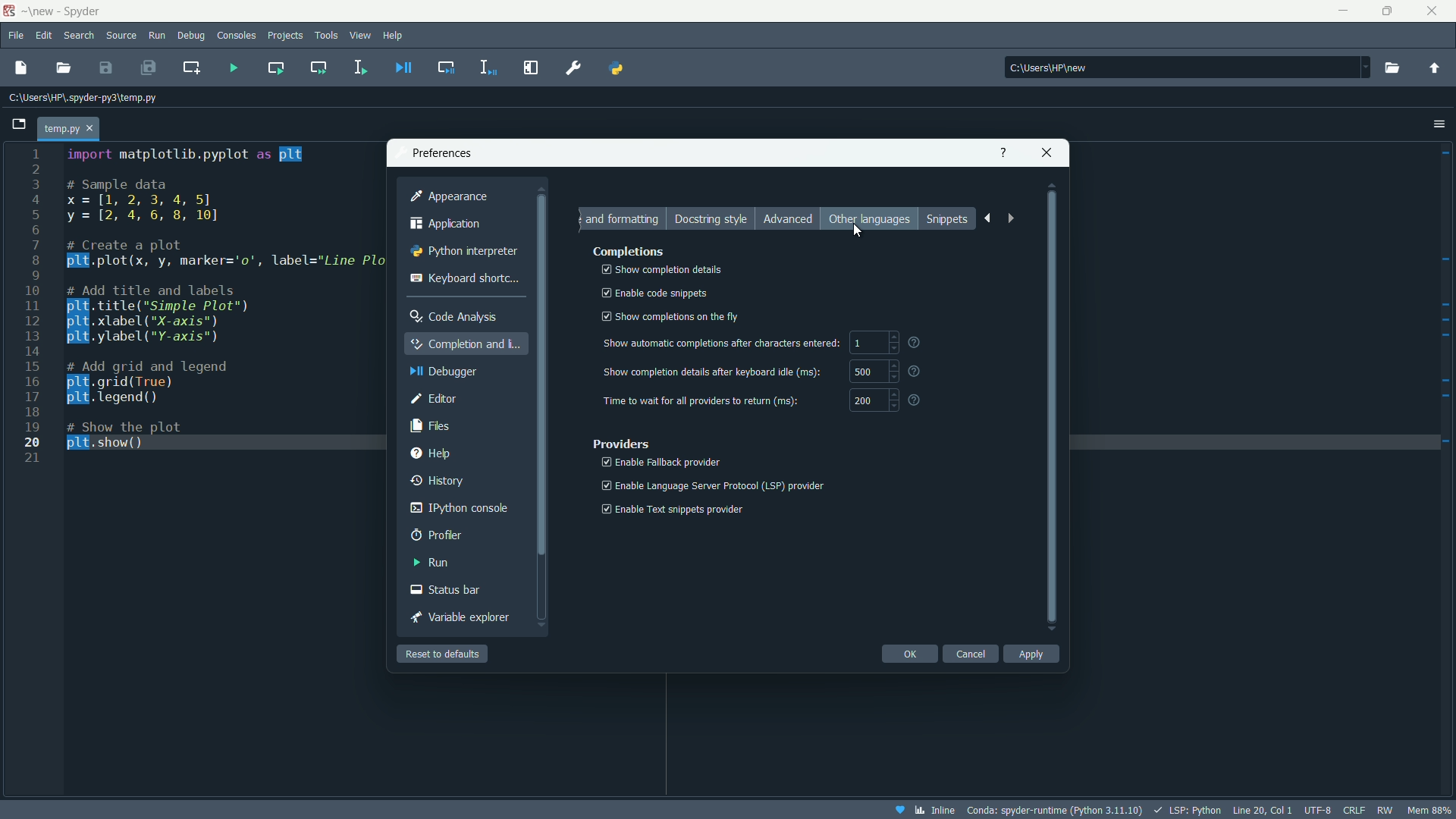 This screenshot has height=819, width=1456. Describe the element at coordinates (440, 372) in the screenshot. I see `debugger` at that location.